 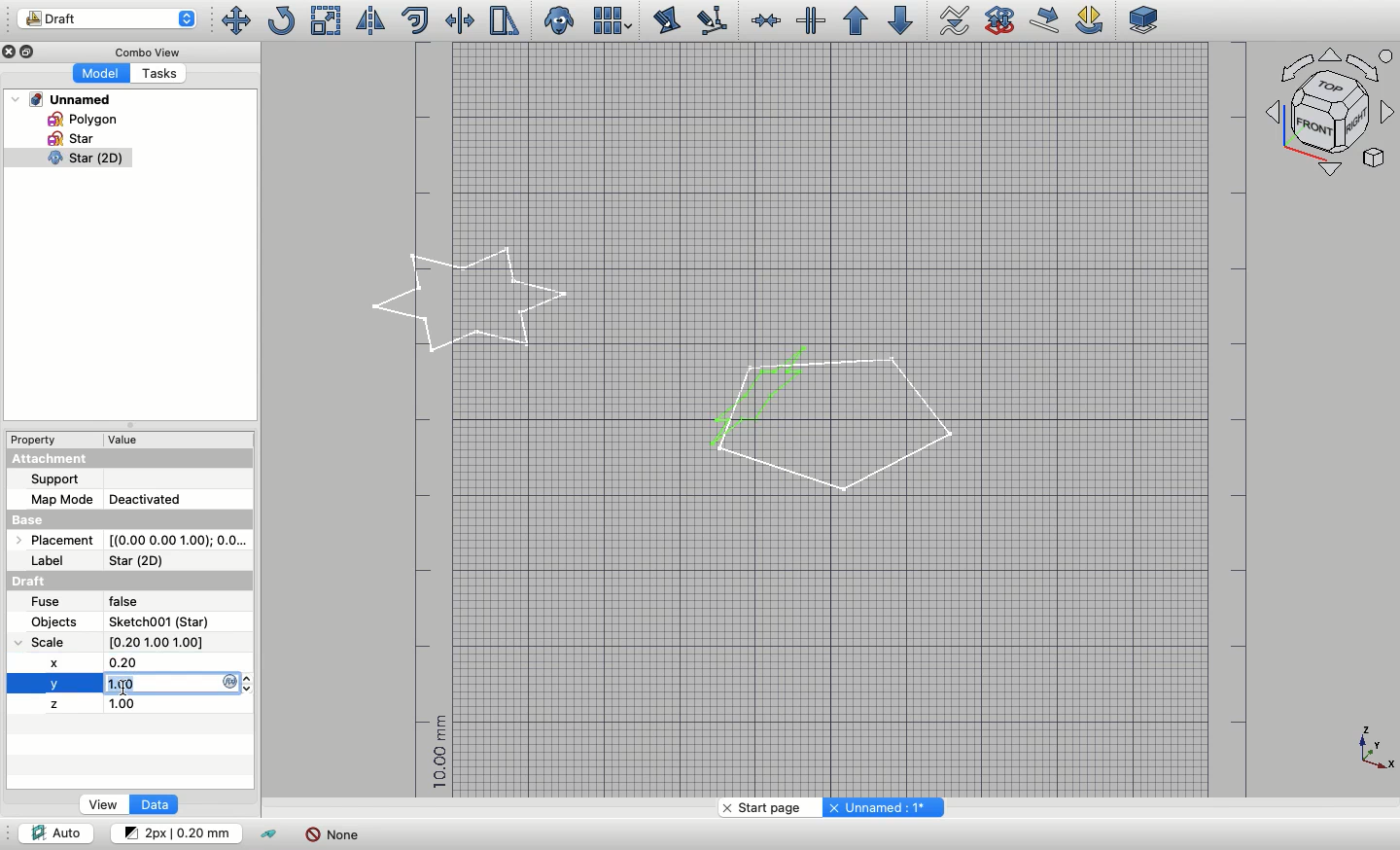 What do you see at coordinates (153, 804) in the screenshot?
I see `Data` at bounding box center [153, 804].